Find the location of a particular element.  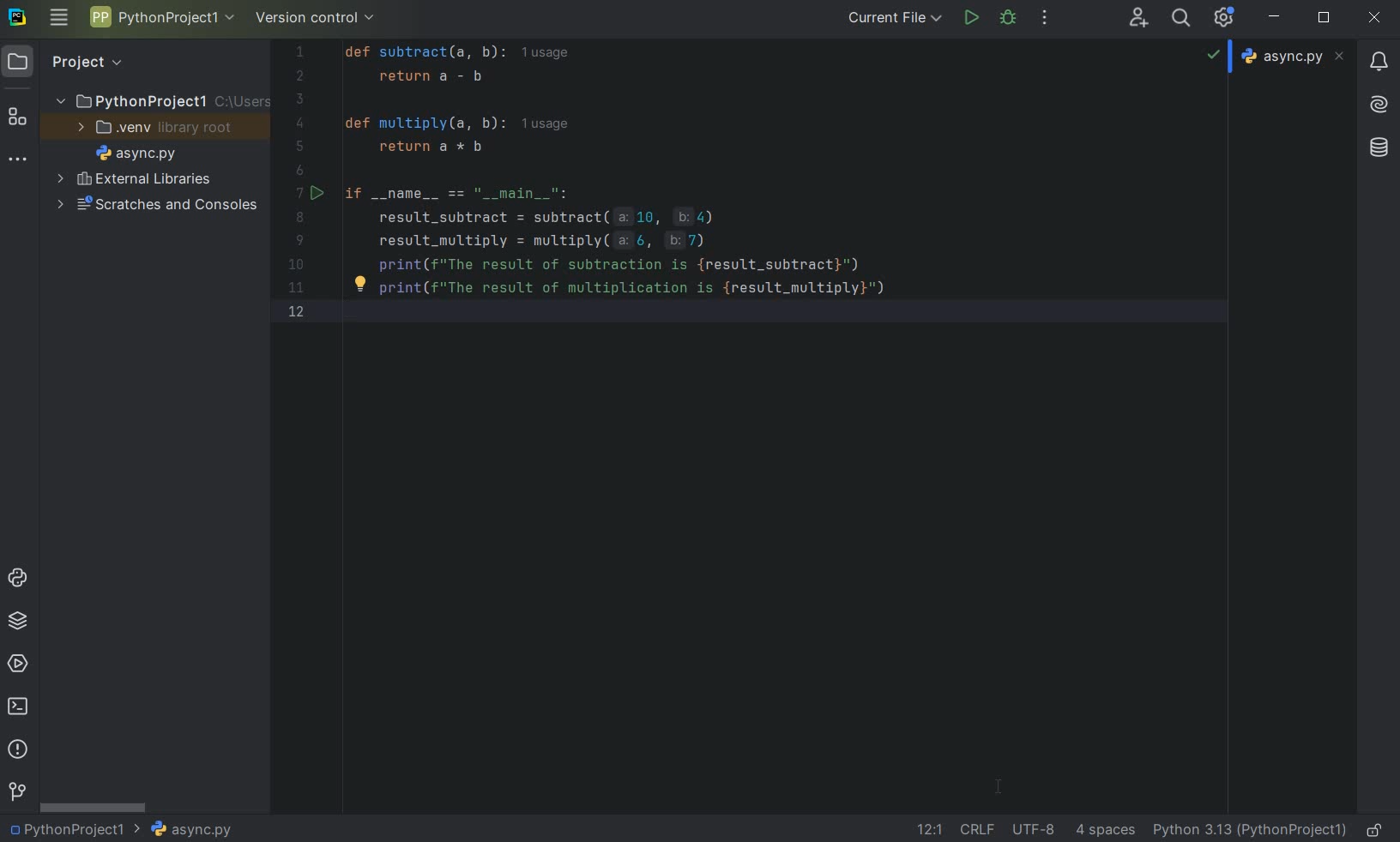

no highlighted problems is located at coordinates (1216, 58).